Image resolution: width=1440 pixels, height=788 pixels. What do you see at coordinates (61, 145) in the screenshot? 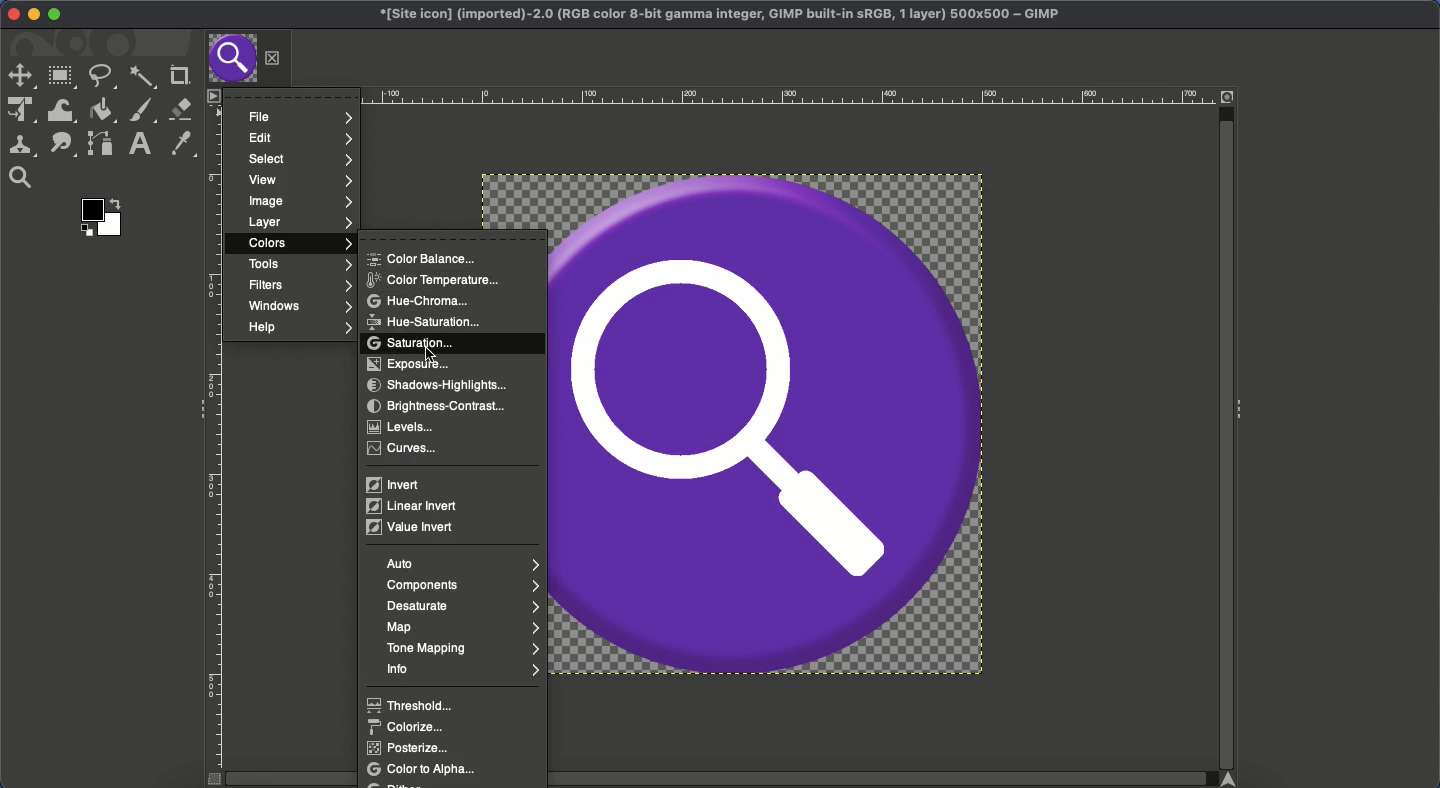
I see `Smudge tool` at bounding box center [61, 145].